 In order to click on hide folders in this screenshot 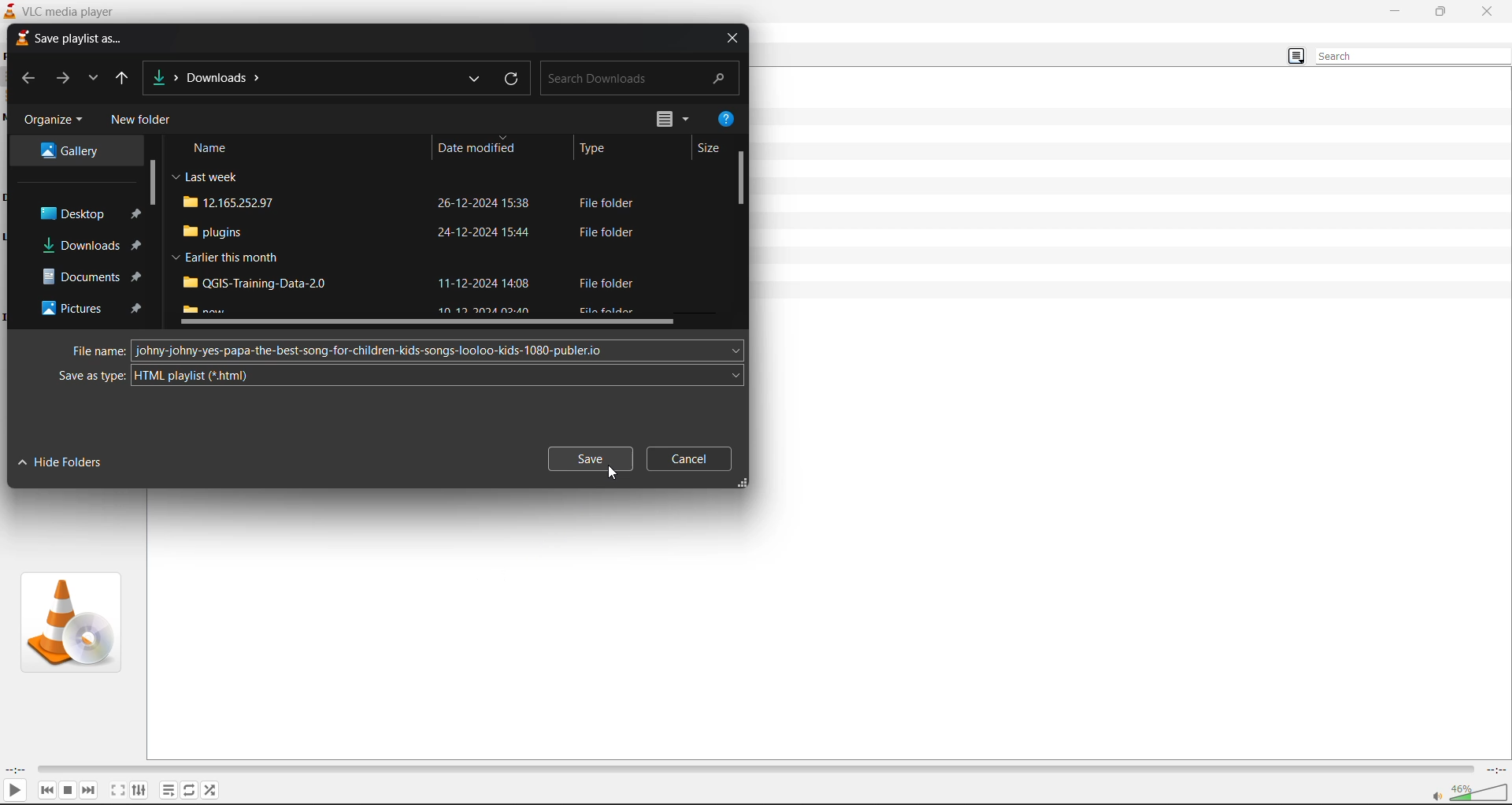, I will do `click(61, 462)`.